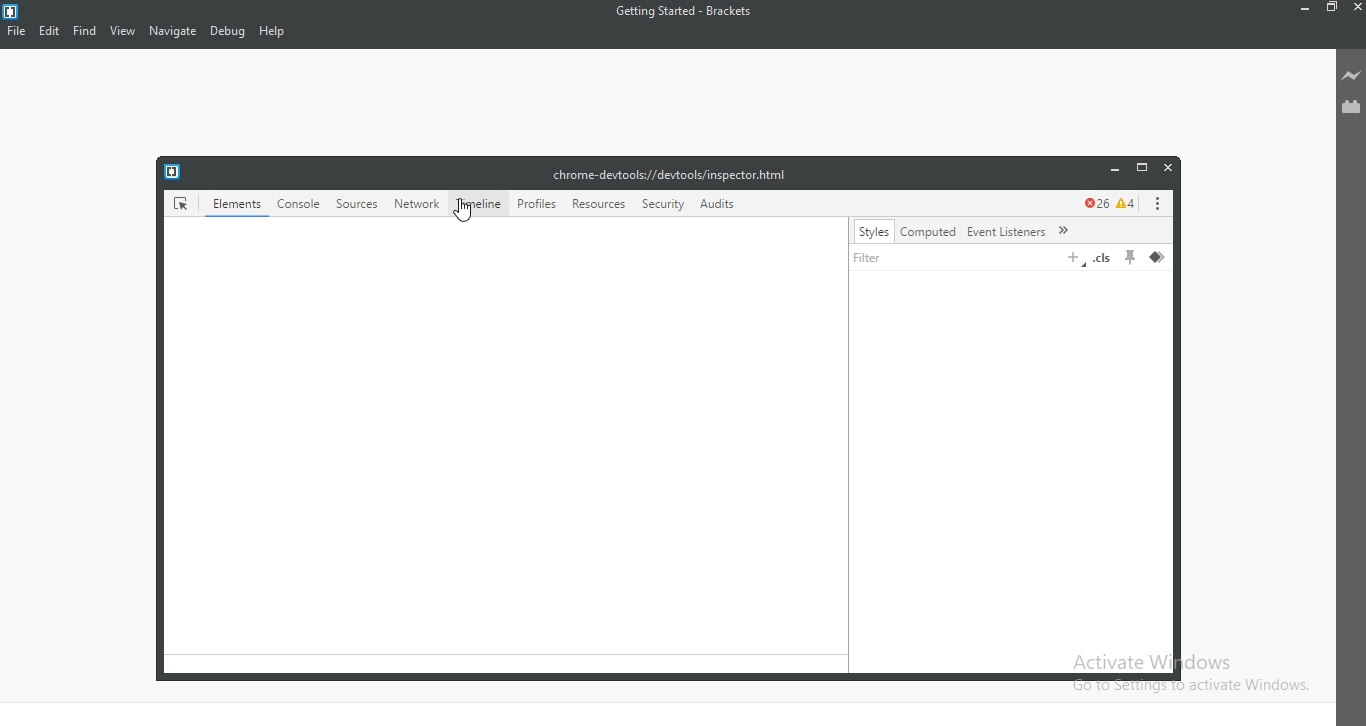 The image size is (1366, 726). I want to click on Extension Manager, so click(1351, 104).